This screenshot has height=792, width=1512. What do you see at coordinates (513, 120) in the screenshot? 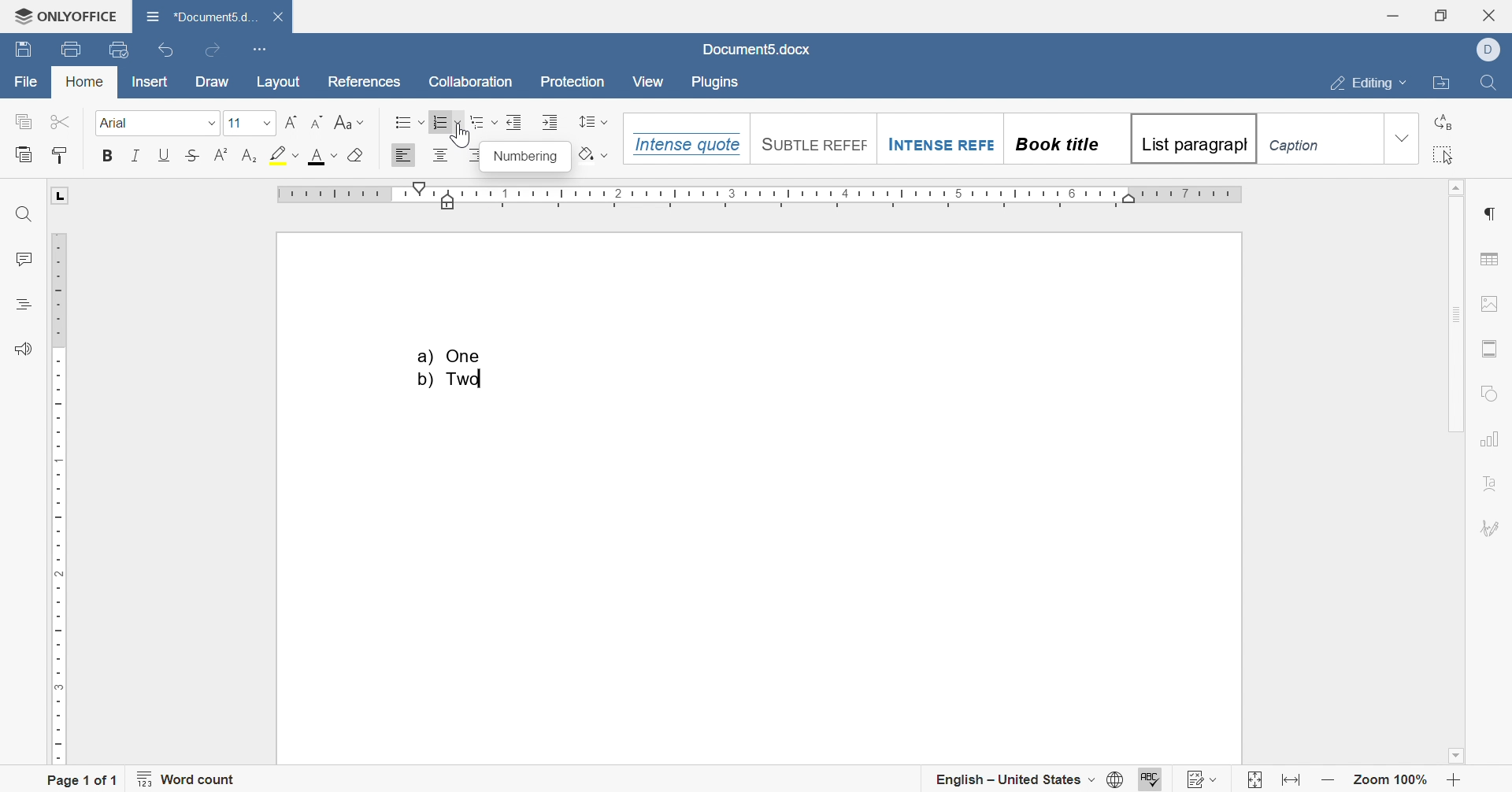
I see `decrease indent` at bounding box center [513, 120].